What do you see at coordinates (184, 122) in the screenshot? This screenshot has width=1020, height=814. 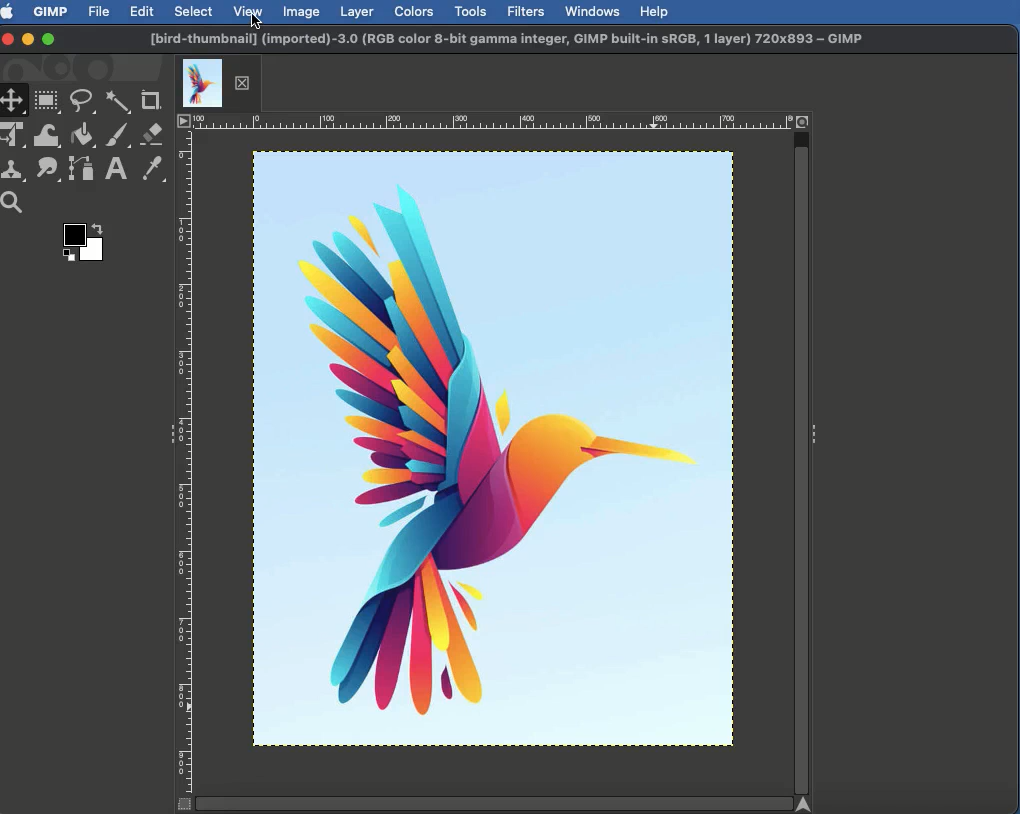 I see `Access the image menu` at bounding box center [184, 122].